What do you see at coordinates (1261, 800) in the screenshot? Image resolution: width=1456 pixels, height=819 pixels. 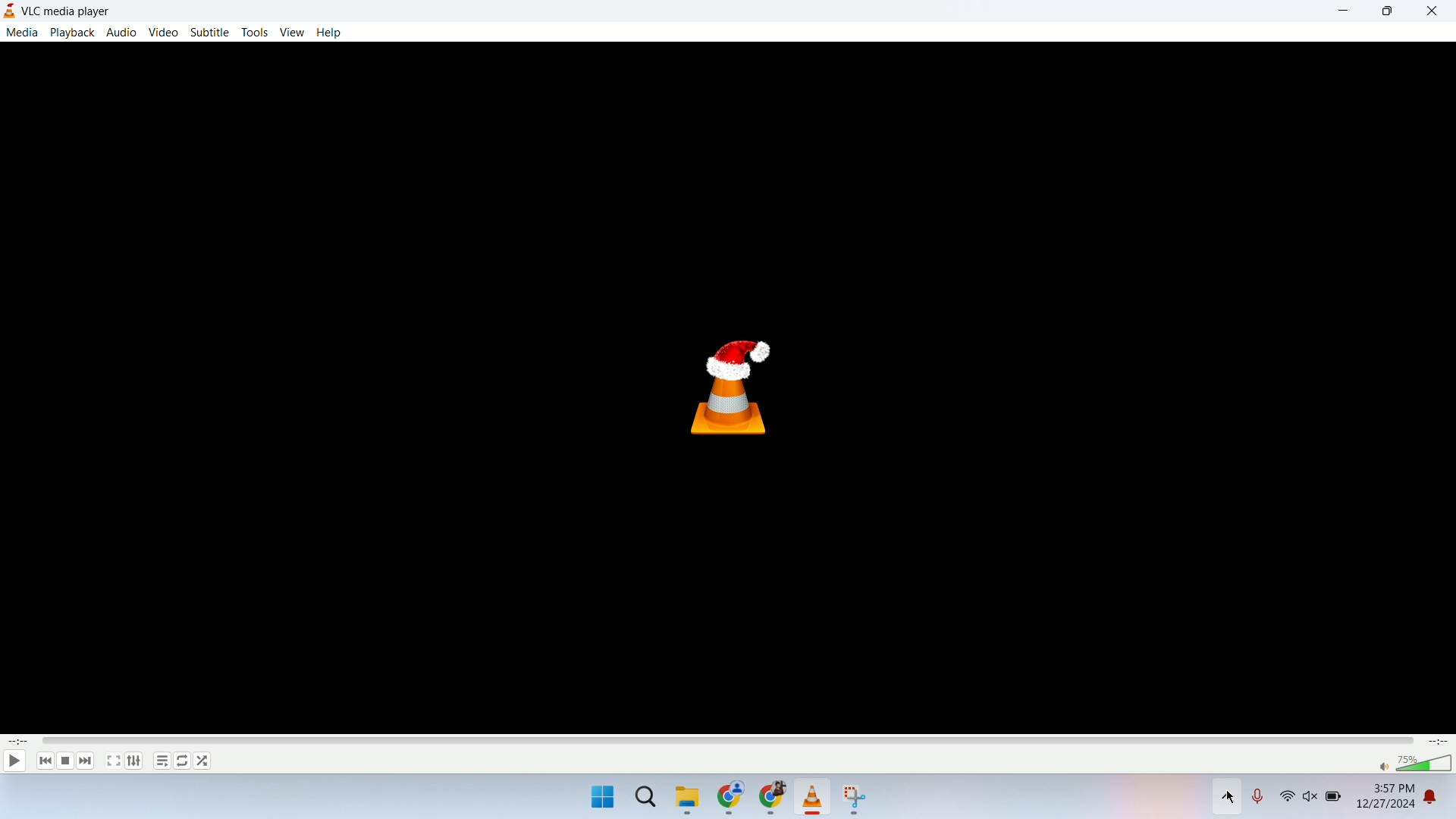 I see `microphone` at bounding box center [1261, 800].